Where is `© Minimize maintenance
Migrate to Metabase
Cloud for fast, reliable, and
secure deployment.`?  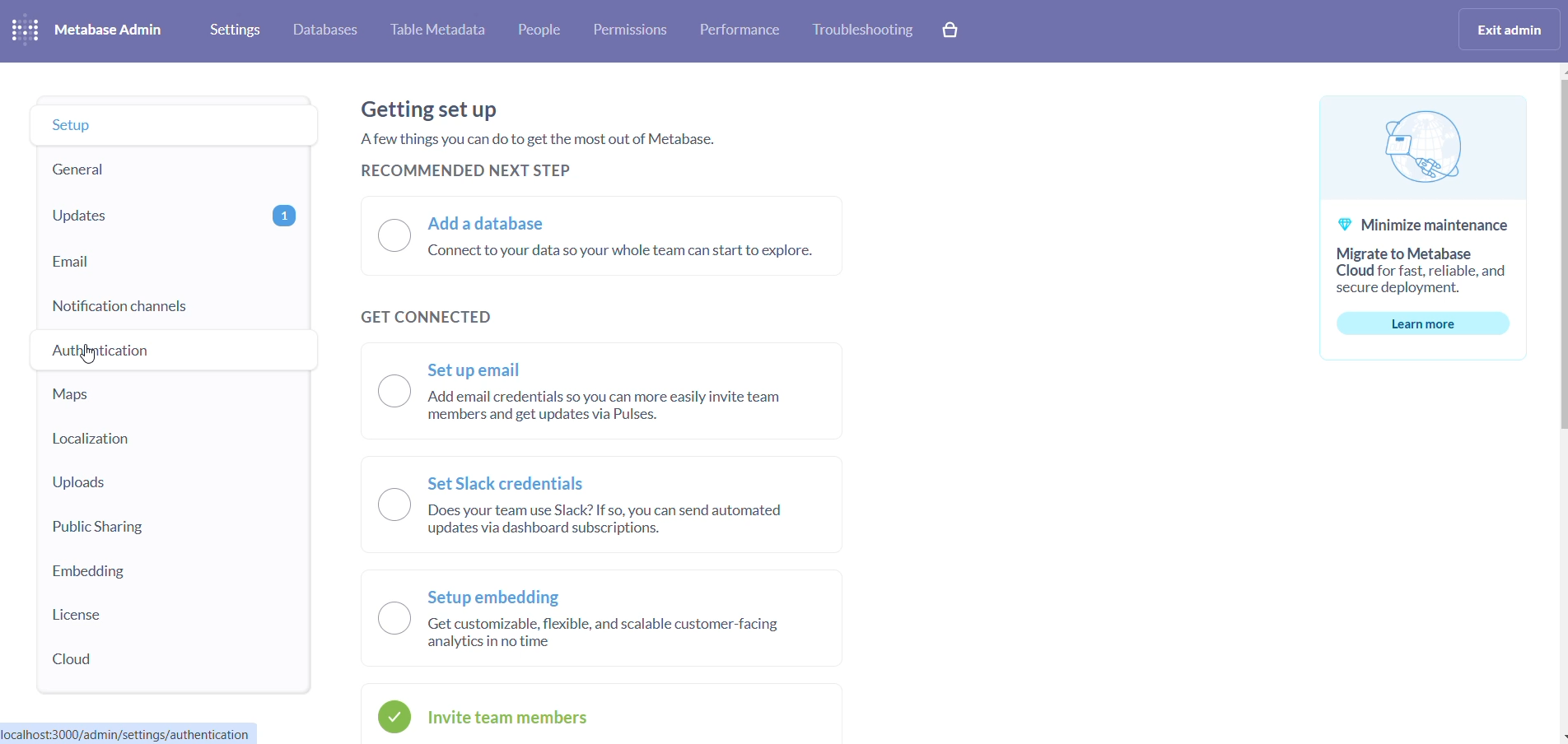 © Minimize maintenance
Migrate to Metabase
Cloud for fast, reliable, and
secure deployment. is located at coordinates (1411, 258).